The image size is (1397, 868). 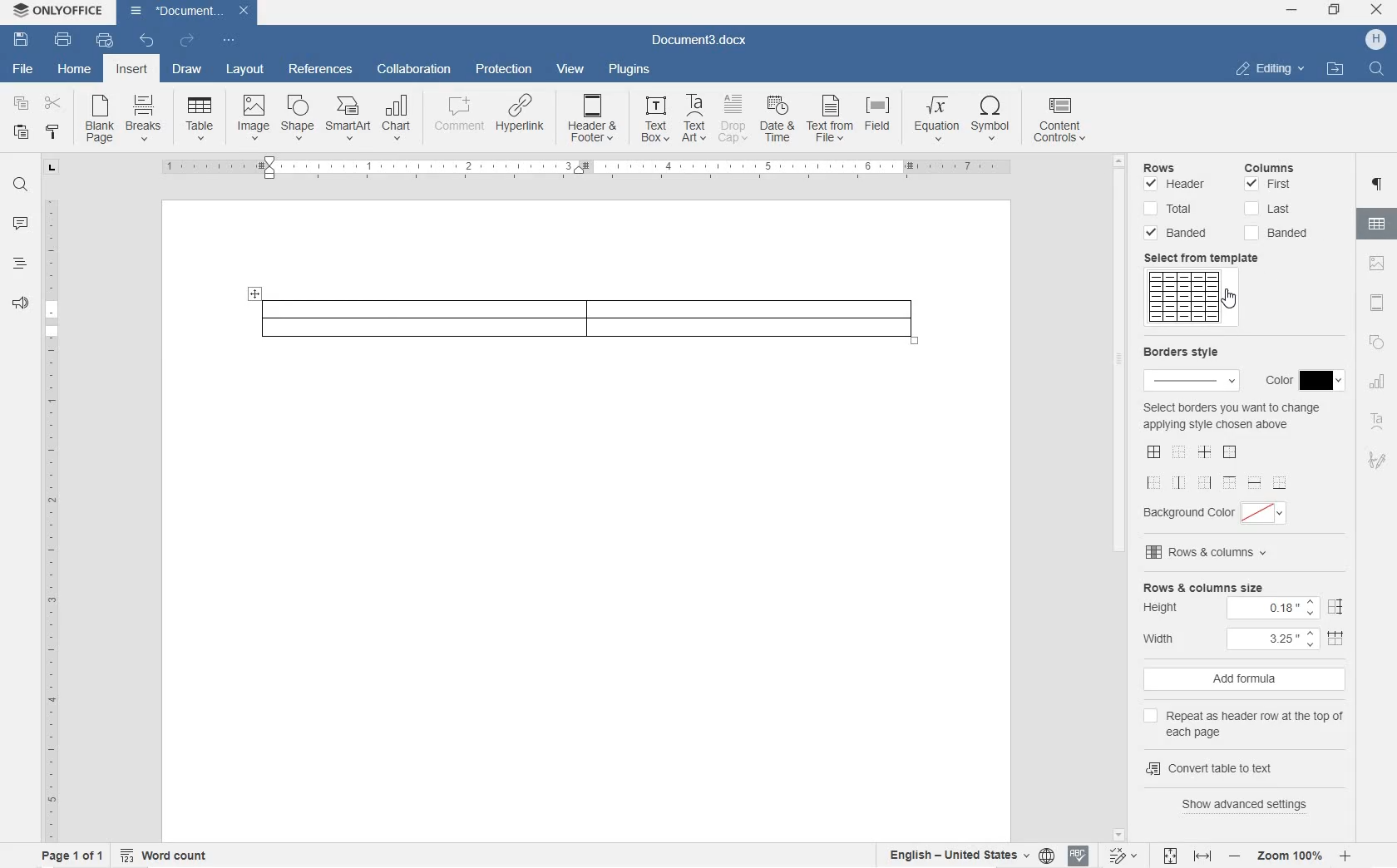 What do you see at coordinates (1248, 638) in the screenshot?
I see `Width` at bounding box center [1248, 638].